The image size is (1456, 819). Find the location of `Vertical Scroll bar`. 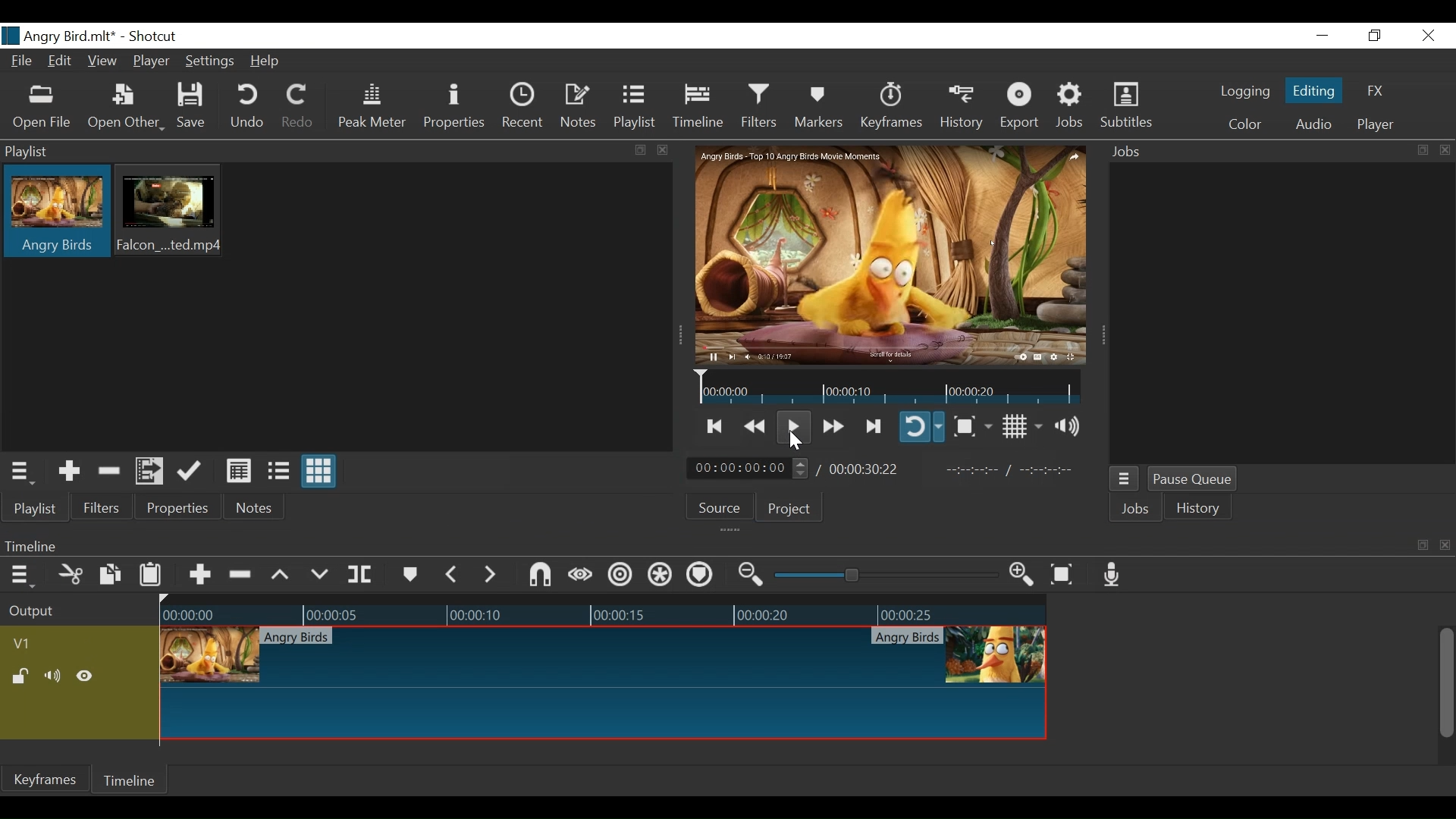

Vertical Scroll bar is located at coordinates (1448, 682).